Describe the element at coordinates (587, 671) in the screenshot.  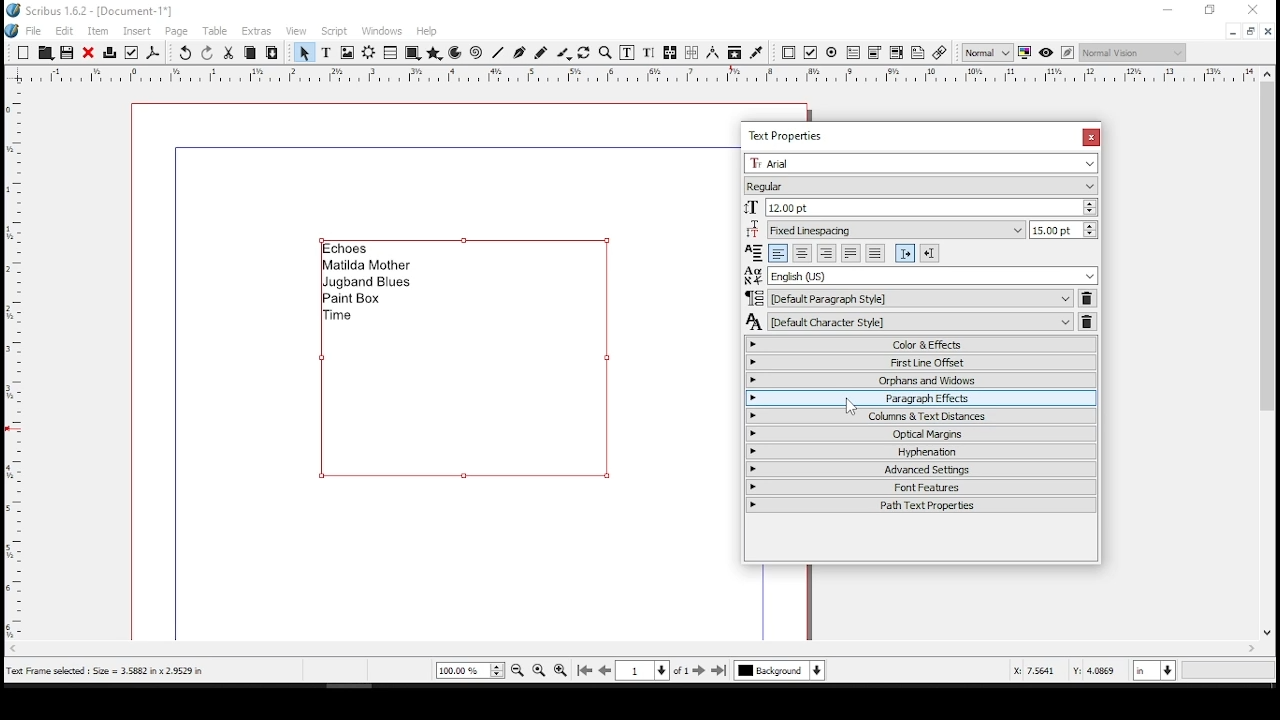
I see `first page` at that location.